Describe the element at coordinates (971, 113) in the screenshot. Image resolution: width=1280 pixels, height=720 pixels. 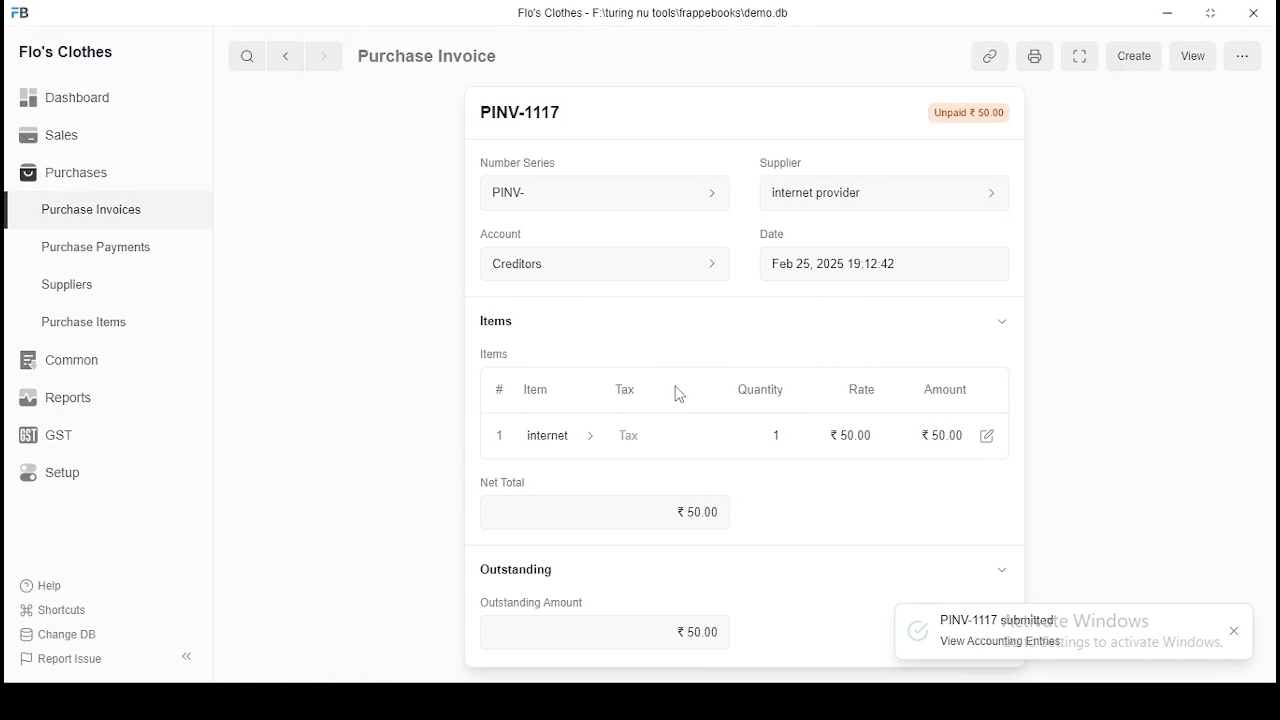
I see `not submitted` at that location.